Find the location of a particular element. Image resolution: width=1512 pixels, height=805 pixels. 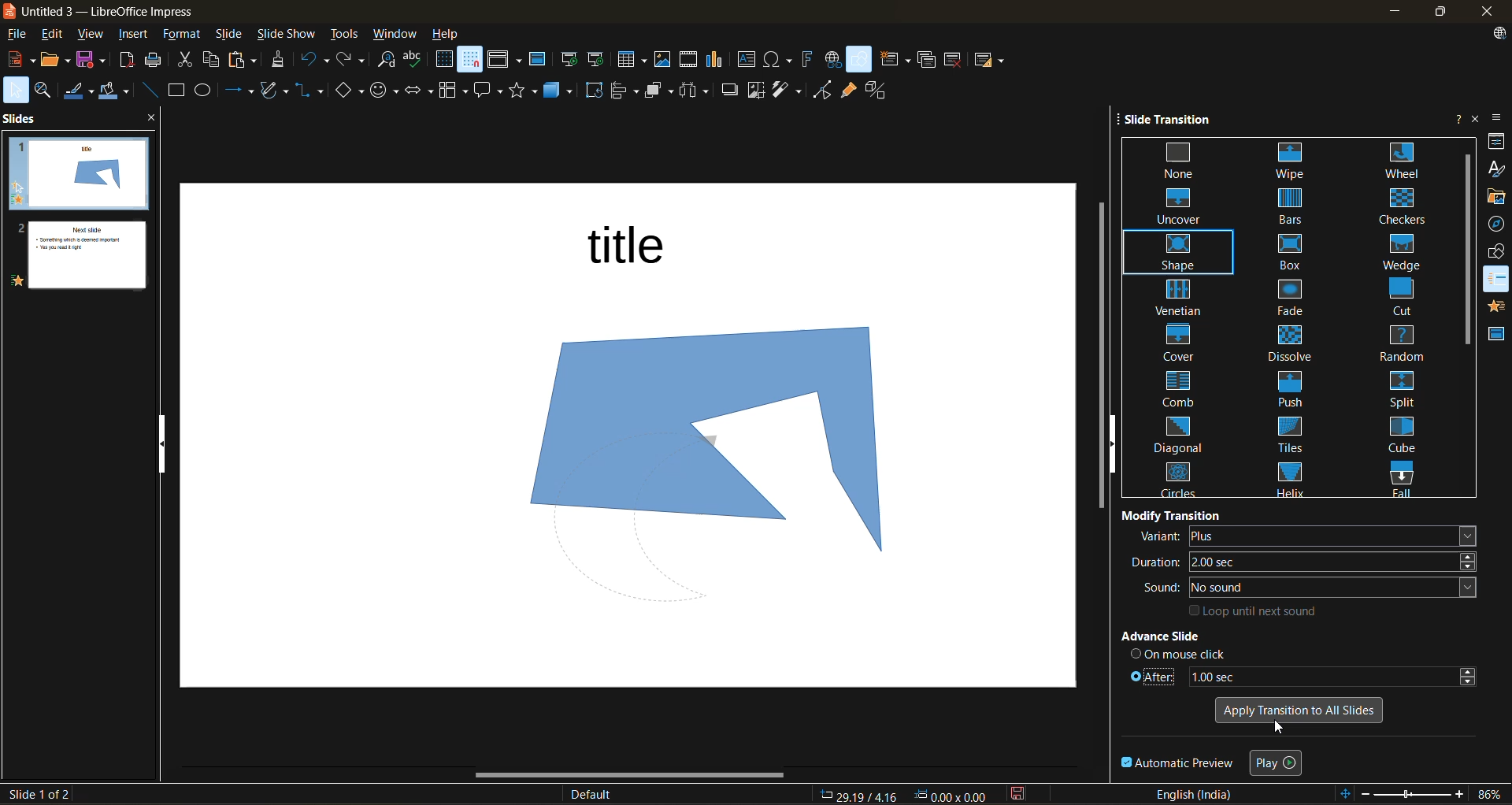

minimize is located at coordinates (1399, 9).